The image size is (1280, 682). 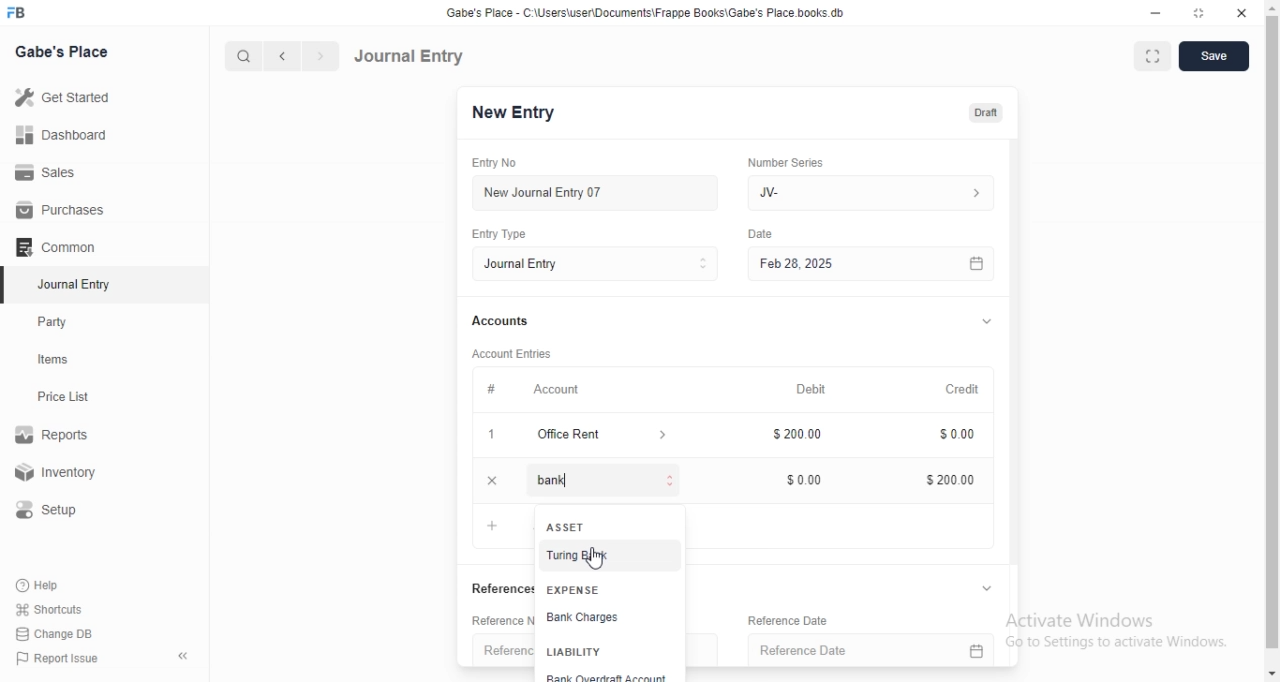 What do you see at coordinates (805, 435) in the screenshot?
I see `200` at bounding box center [805, 435].